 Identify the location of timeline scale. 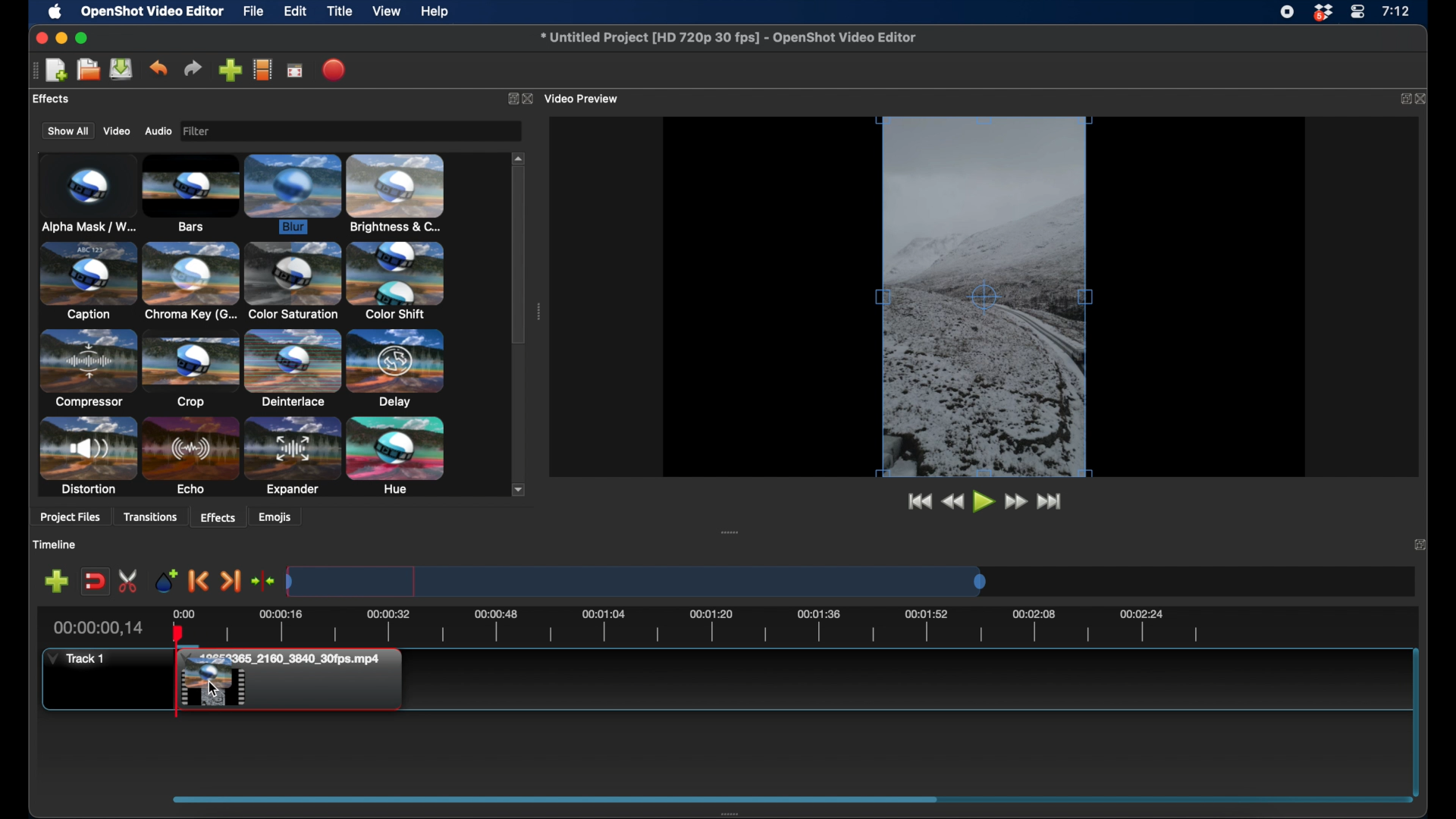
(637, 581).